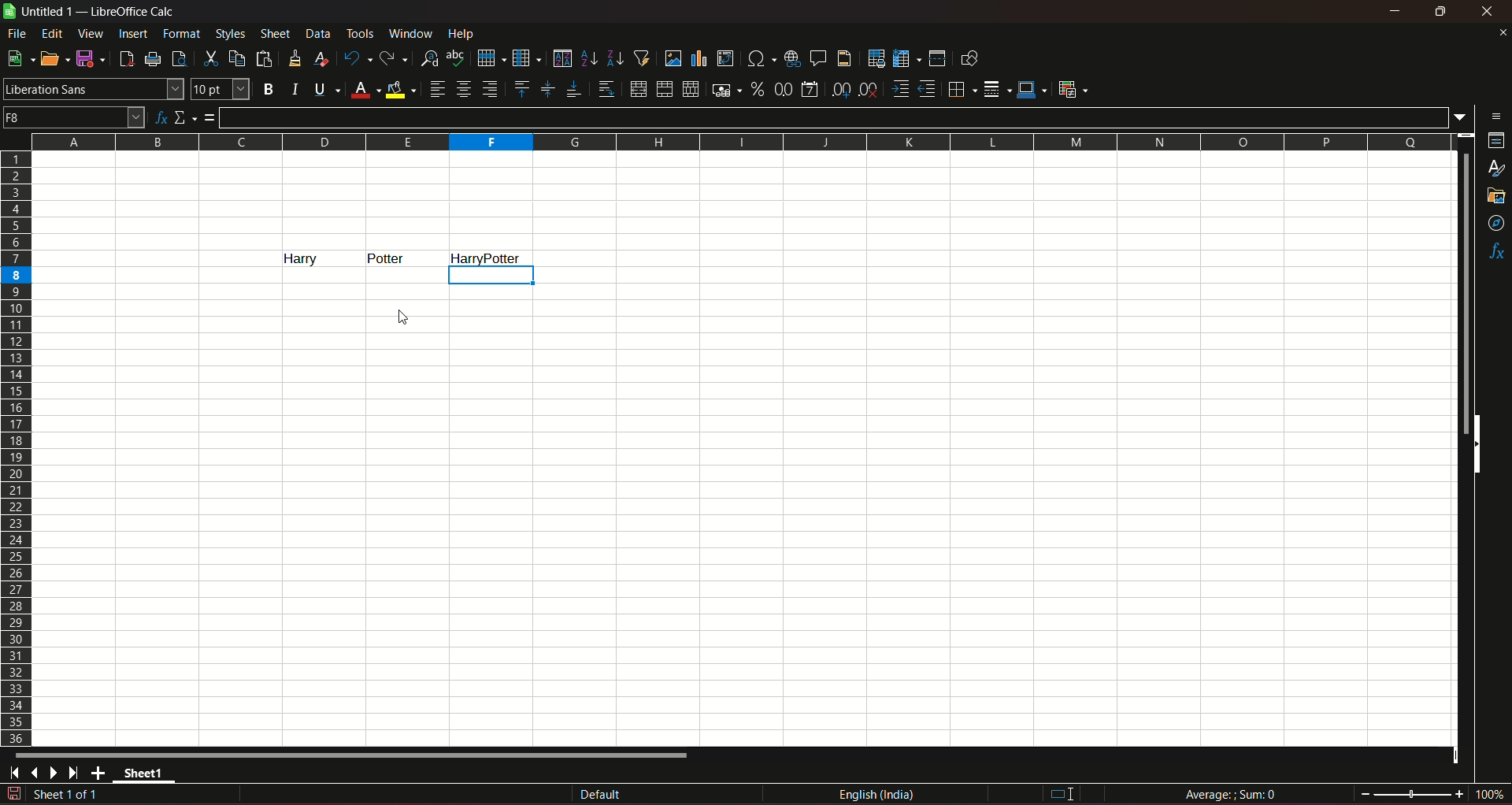 This screenshot has height=805, width=1512. Describe the element at coordinates (606, 90) in the screenshot. I see `wrap text` at that location.